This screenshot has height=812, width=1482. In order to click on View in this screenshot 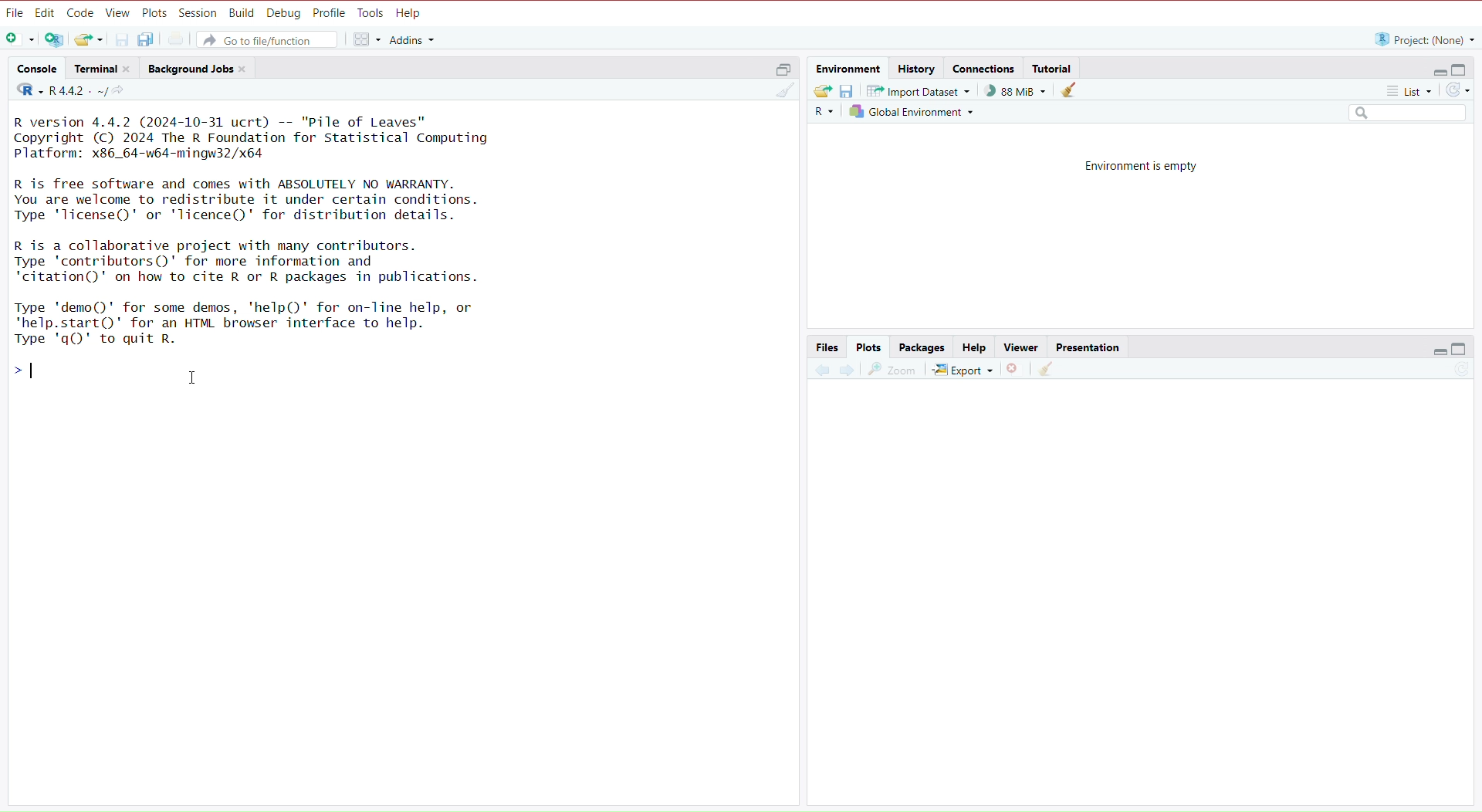, I will do `click(118, 12)`.